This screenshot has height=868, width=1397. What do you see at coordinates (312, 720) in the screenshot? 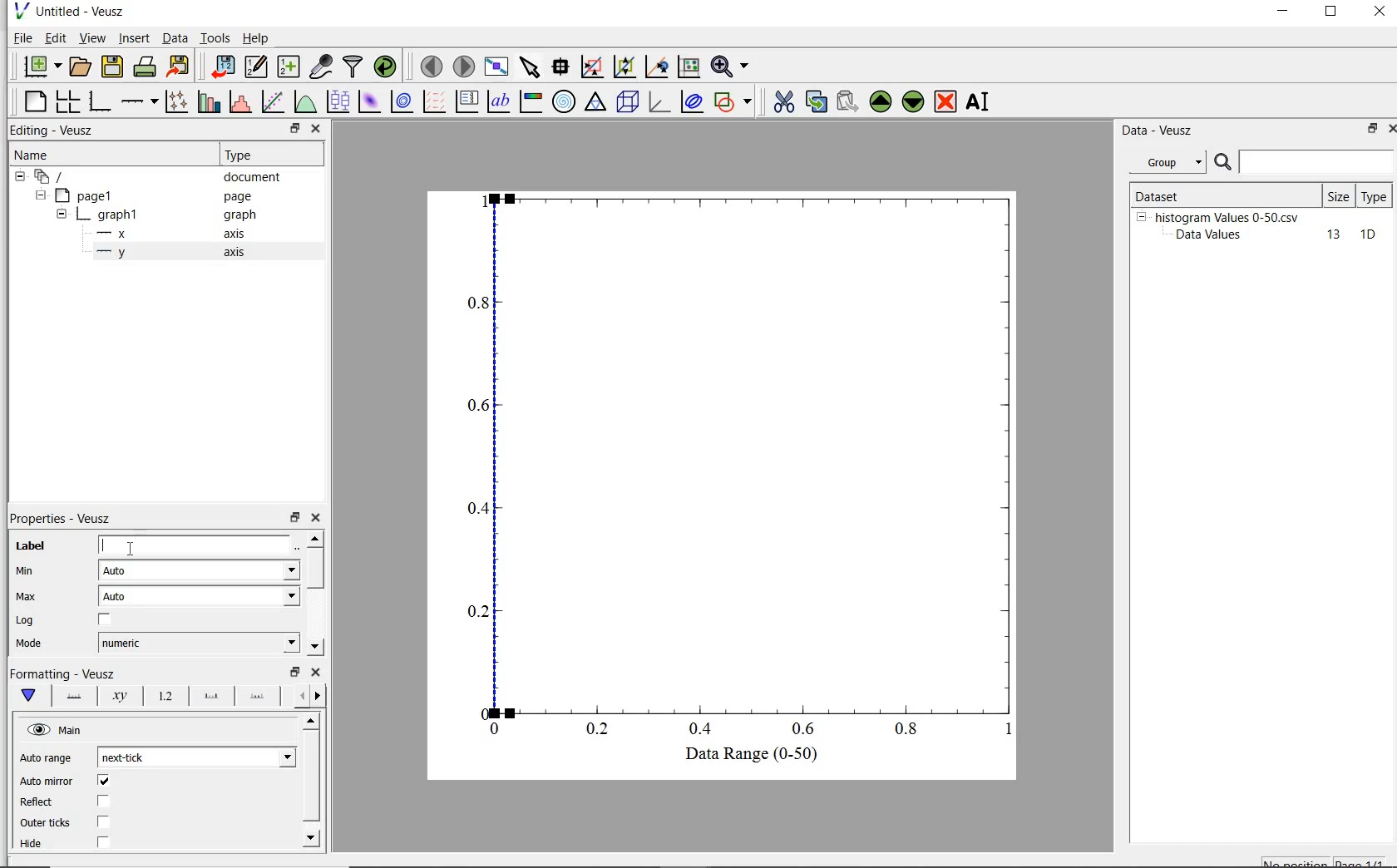
I see `move up` at bounding box center [312, 720].